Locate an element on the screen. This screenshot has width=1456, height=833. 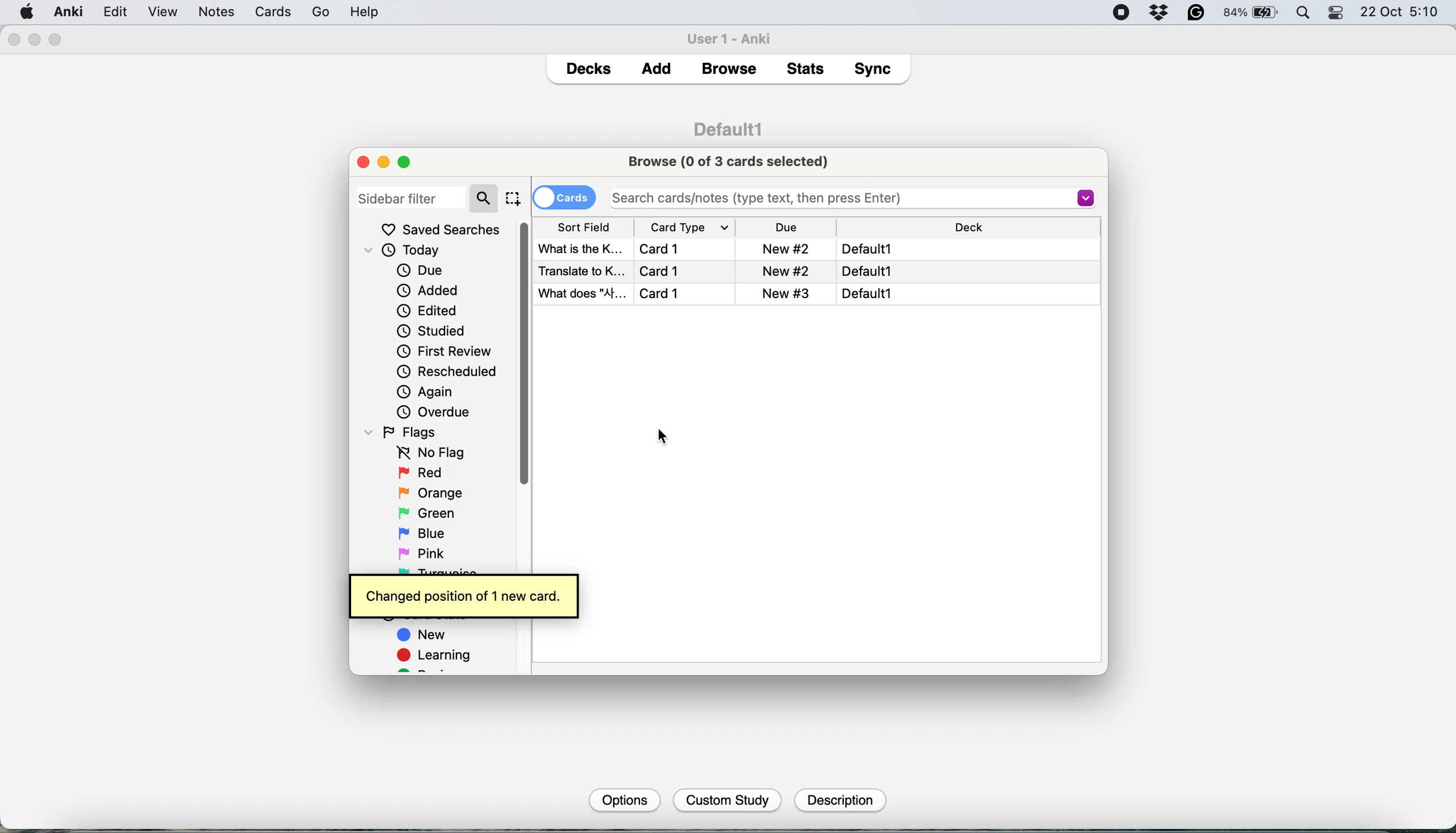
Default1 is located at coordinates (868, 293).